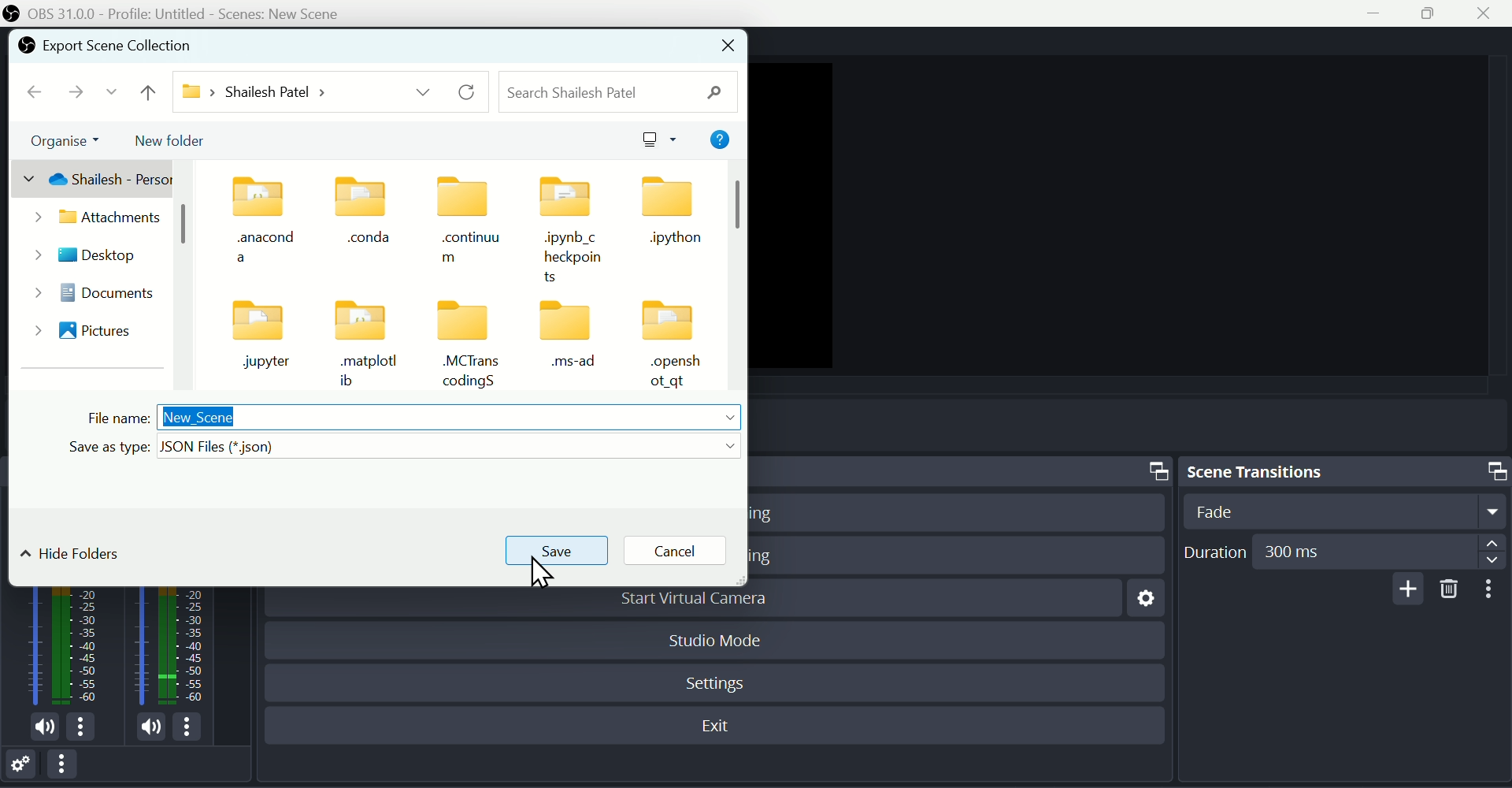 This screenshot has width=1512, height=788. What do you see at coordinates (379, 282) in the screenshot?
I see `File manager` at bounding box center [379, 282].